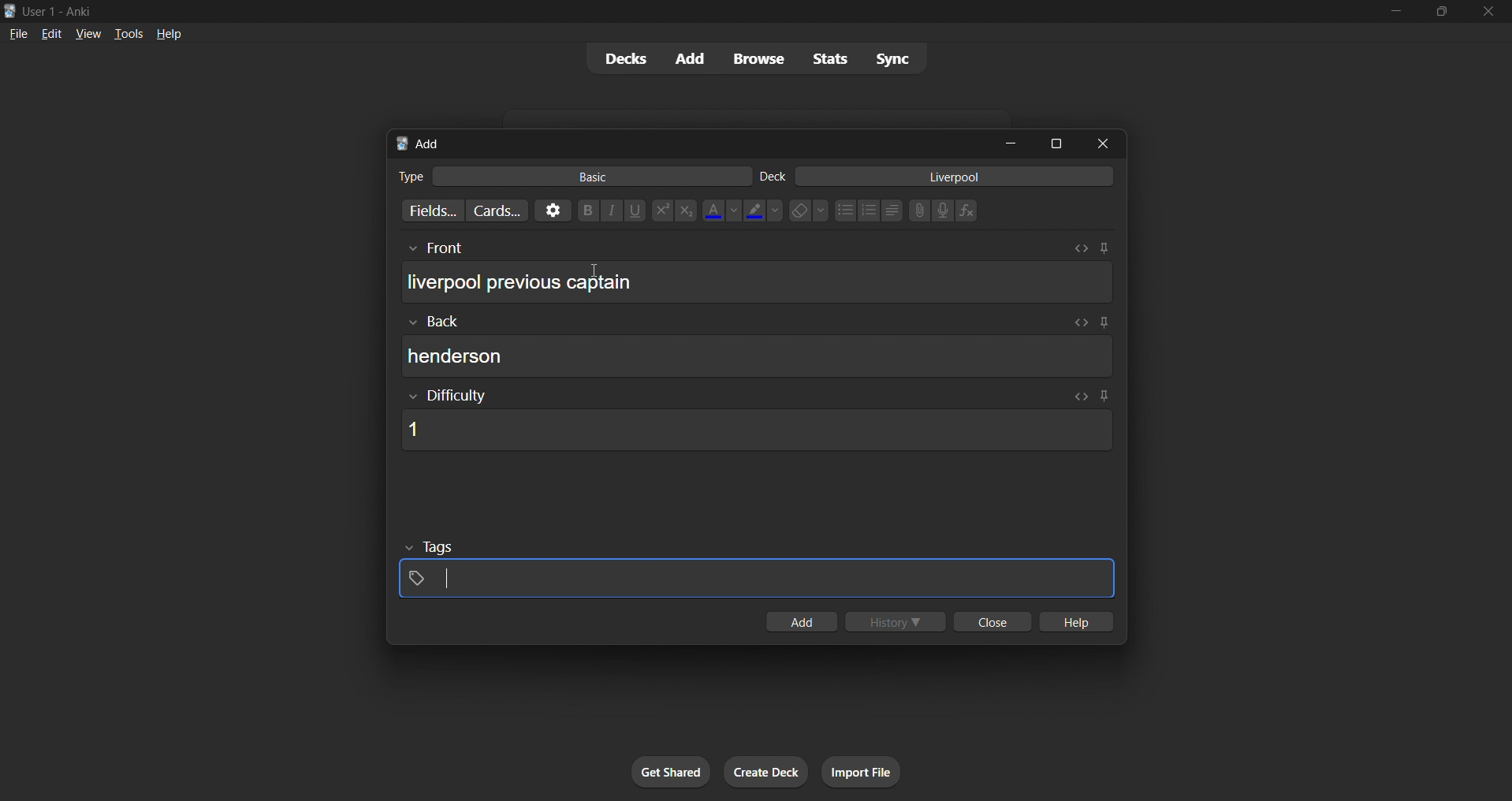 Image resolution: width=1512 pixels, height=801 pixels. What do you see at coordinates (756, 568) in the screenshot?
I see `card tags input box` at bounding box center [756, 568].